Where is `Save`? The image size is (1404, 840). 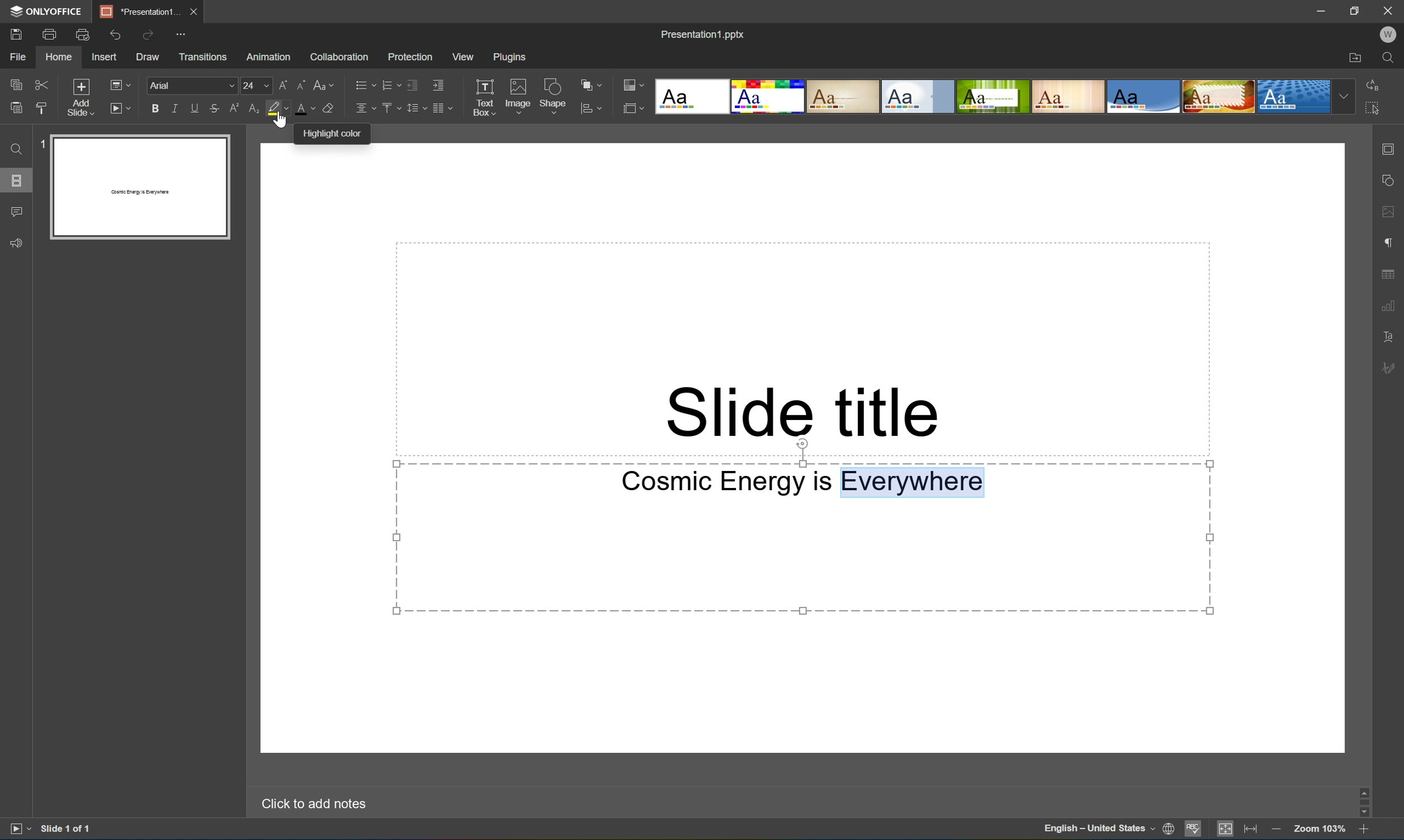
Save is located at coordinates (16, 34).